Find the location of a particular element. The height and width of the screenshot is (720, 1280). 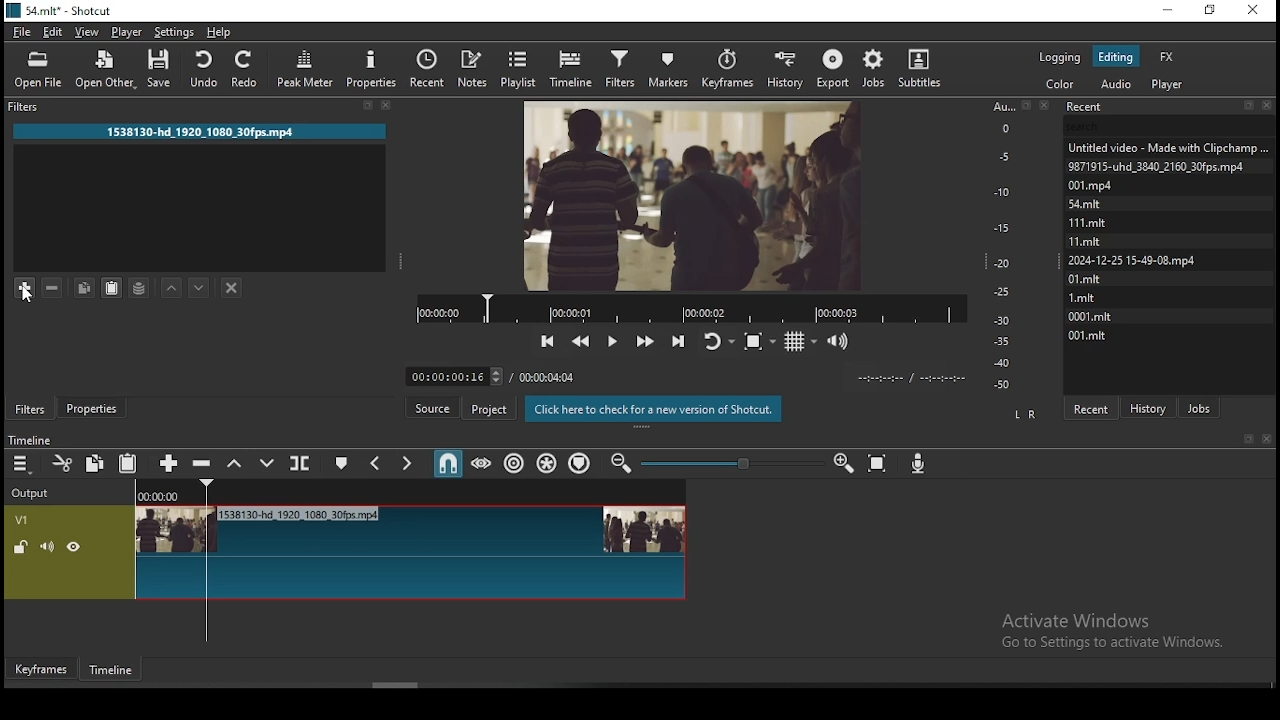

cut is located at coordinates (65, 463).